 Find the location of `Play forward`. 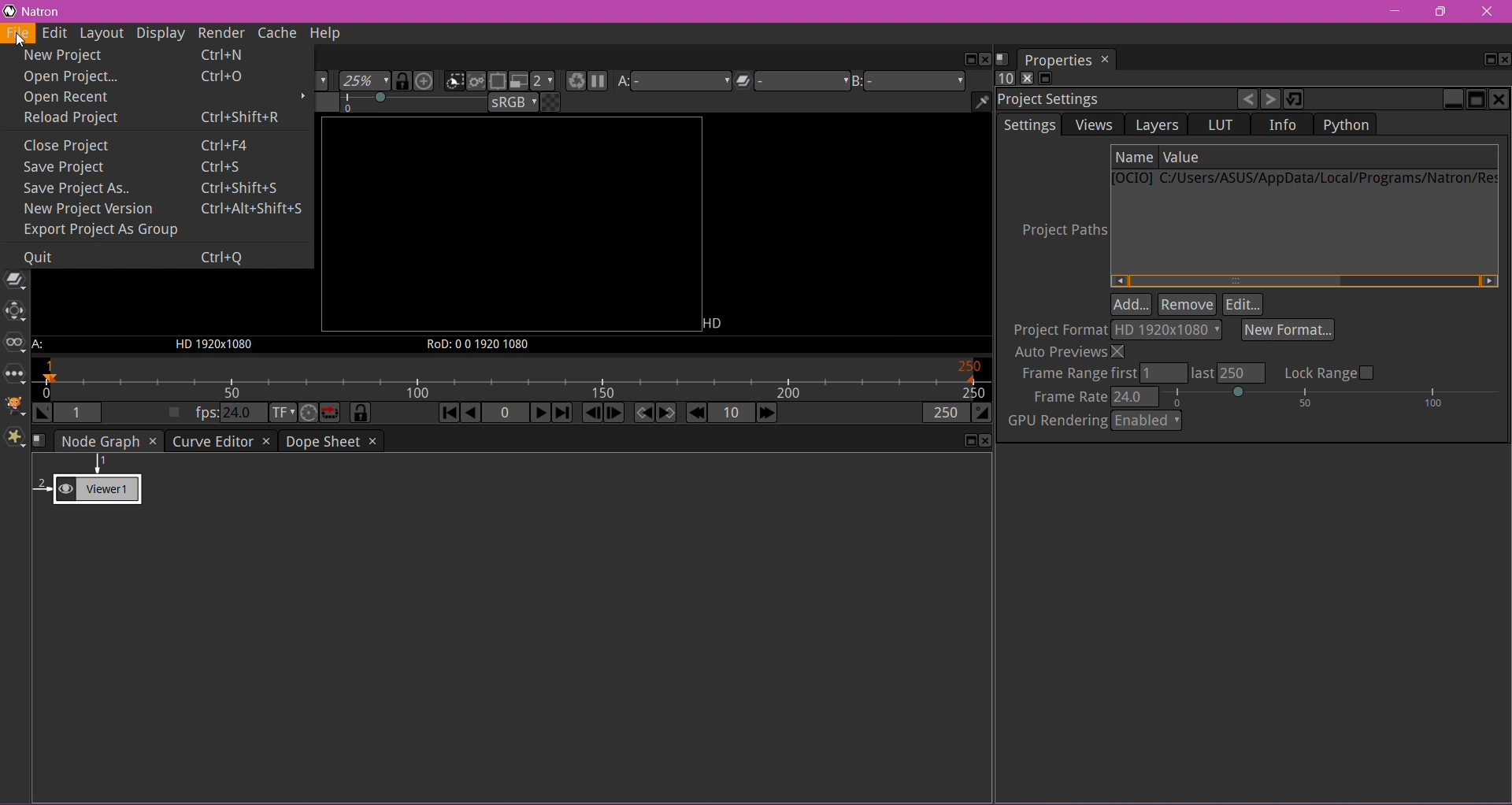

Play forward is located at coordinates (539, 414).